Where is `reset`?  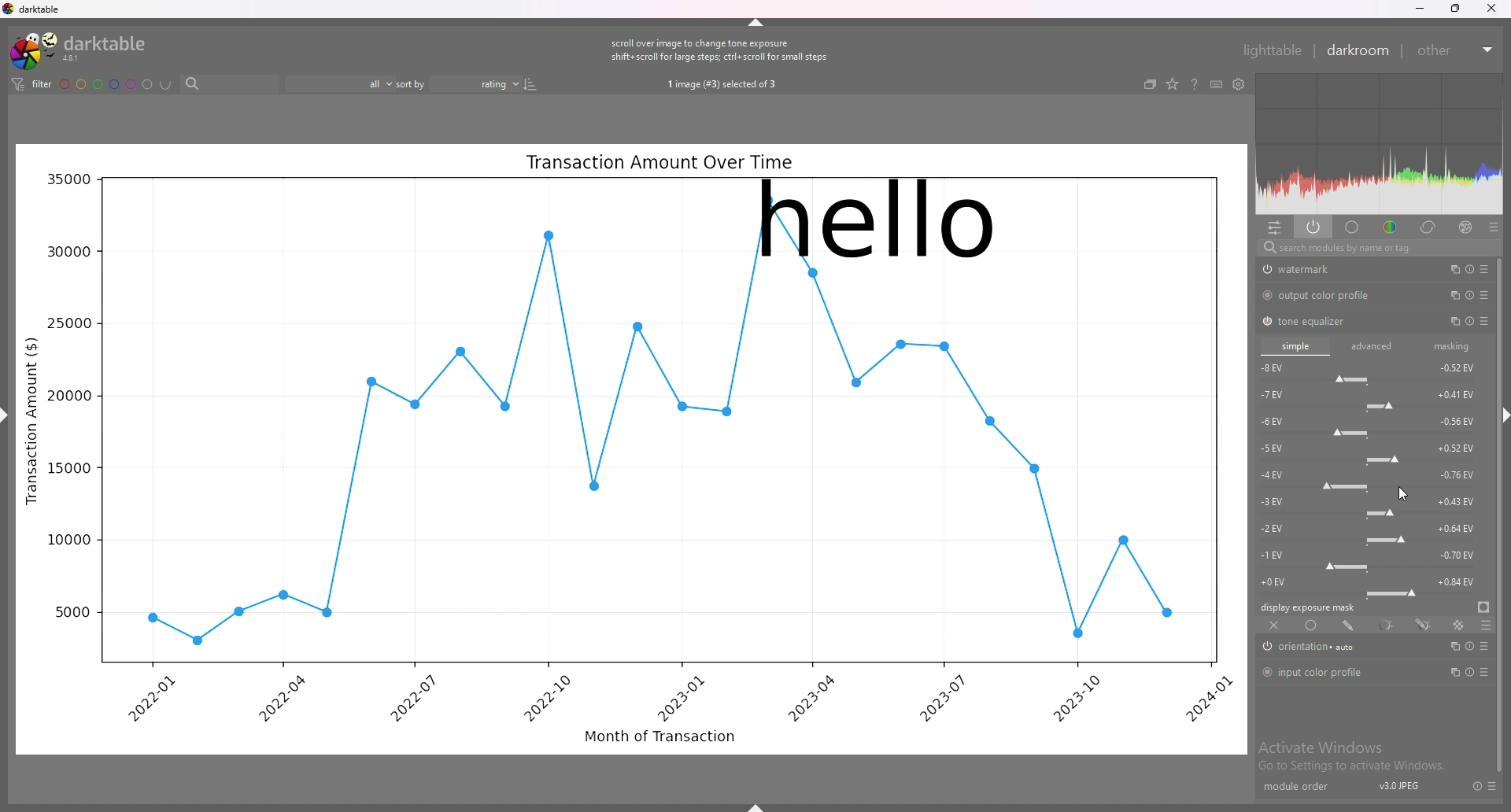
reset is located at coordinates (1474, 786).